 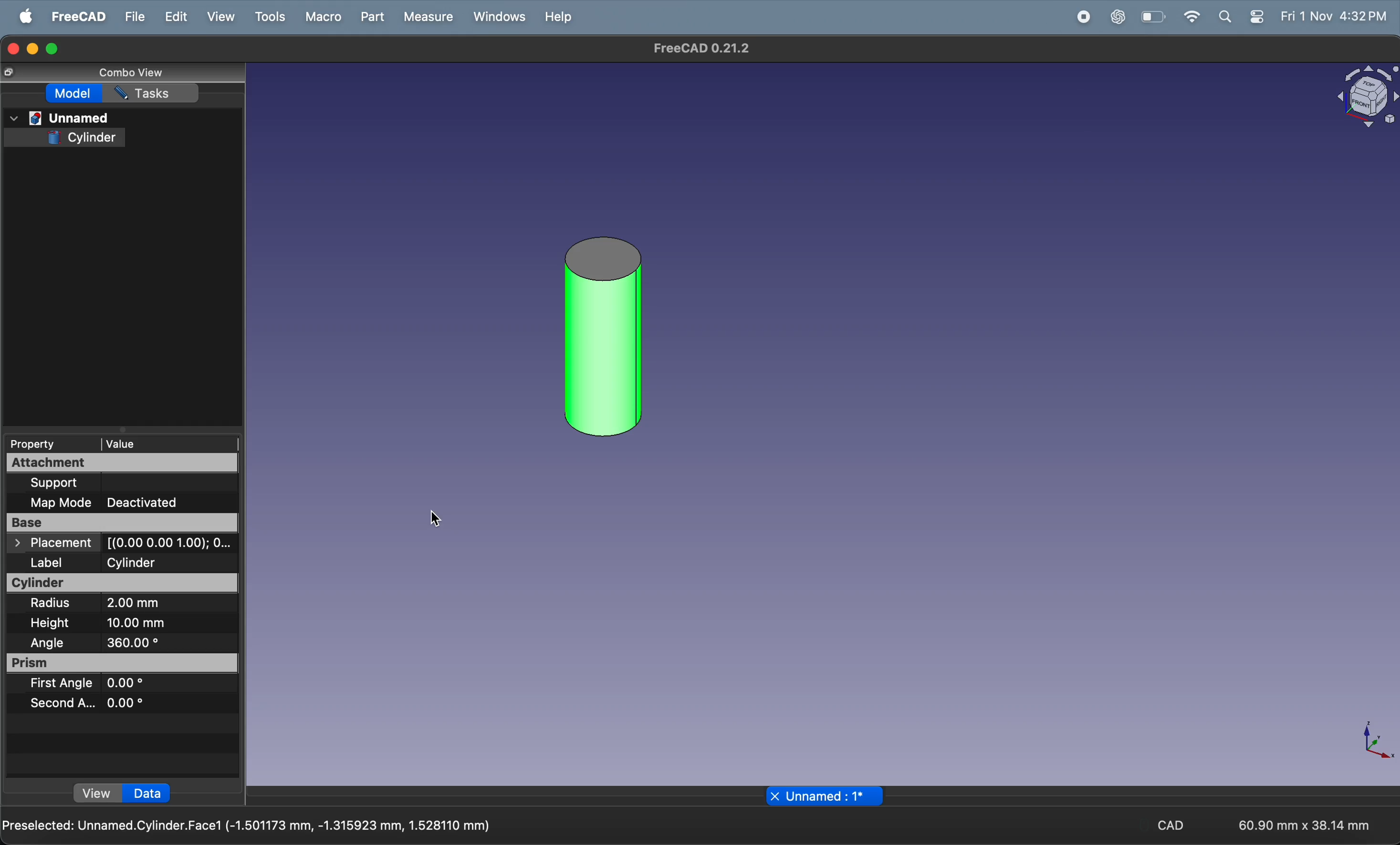 What do you see at coordinates (556, 20) in the screenshot?
I see `help` at bounding box center [556, 20].